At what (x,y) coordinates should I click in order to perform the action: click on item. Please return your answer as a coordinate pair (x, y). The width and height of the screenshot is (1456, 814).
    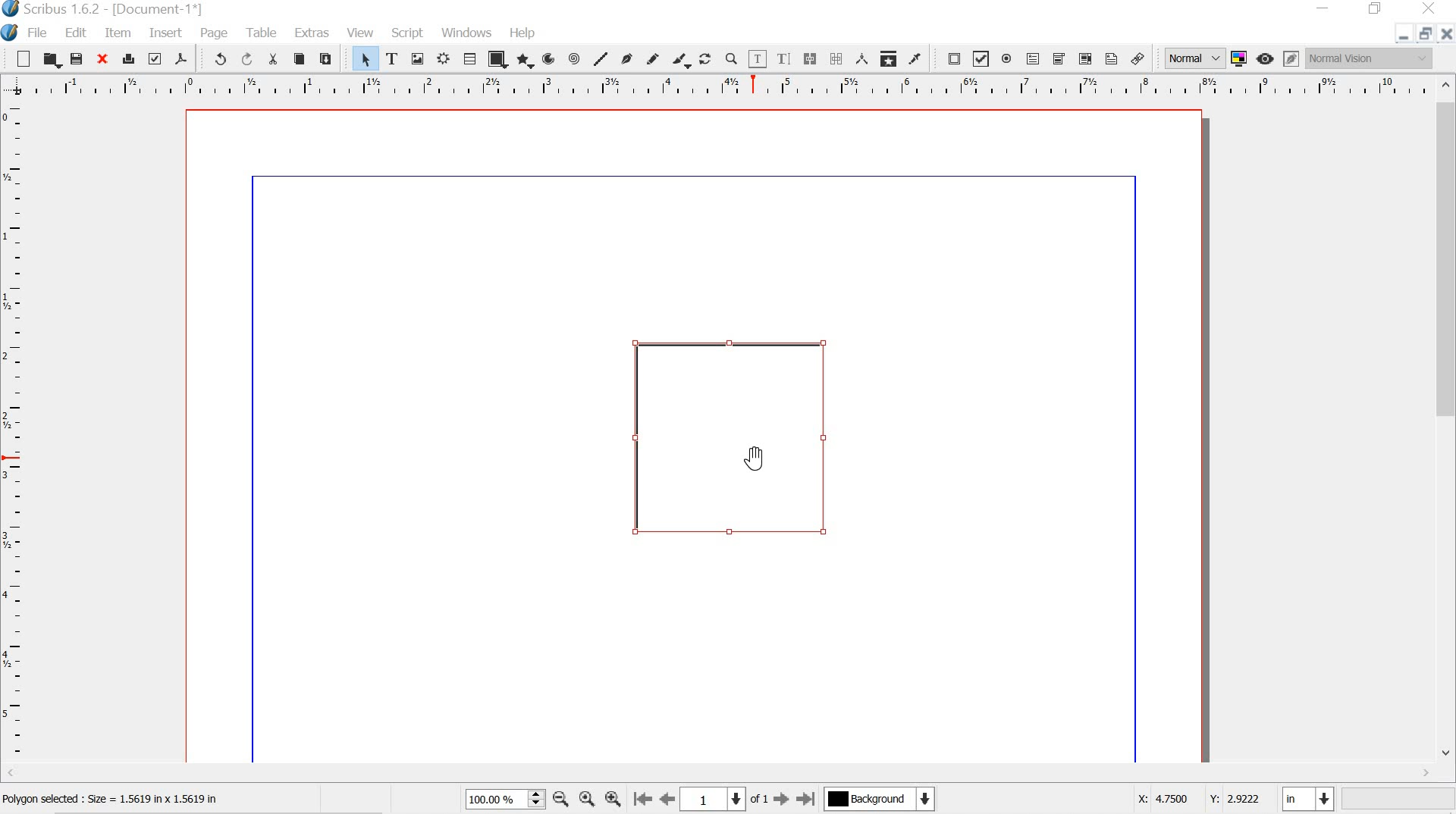
    Looking at the image, I should click on (118, 33).